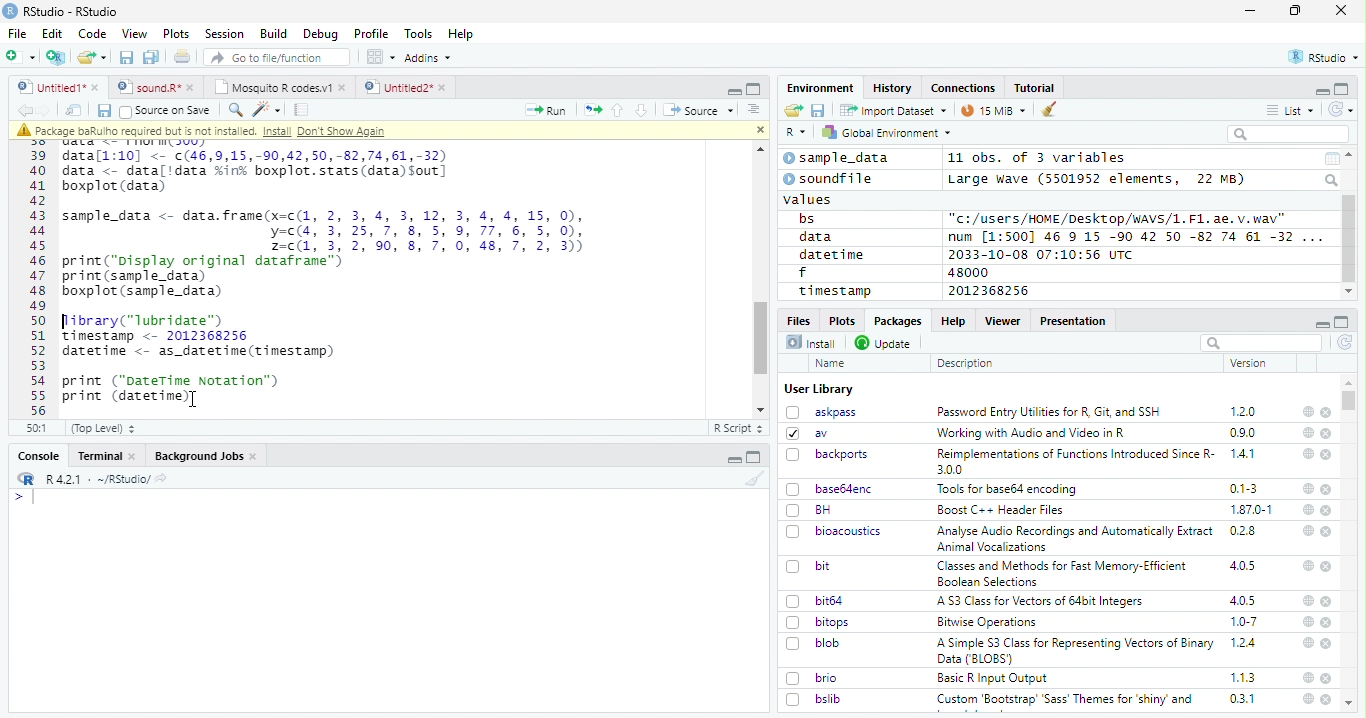  Describe the element at coordinates (223, 34) in the screenshot. I see `Session` at that location.